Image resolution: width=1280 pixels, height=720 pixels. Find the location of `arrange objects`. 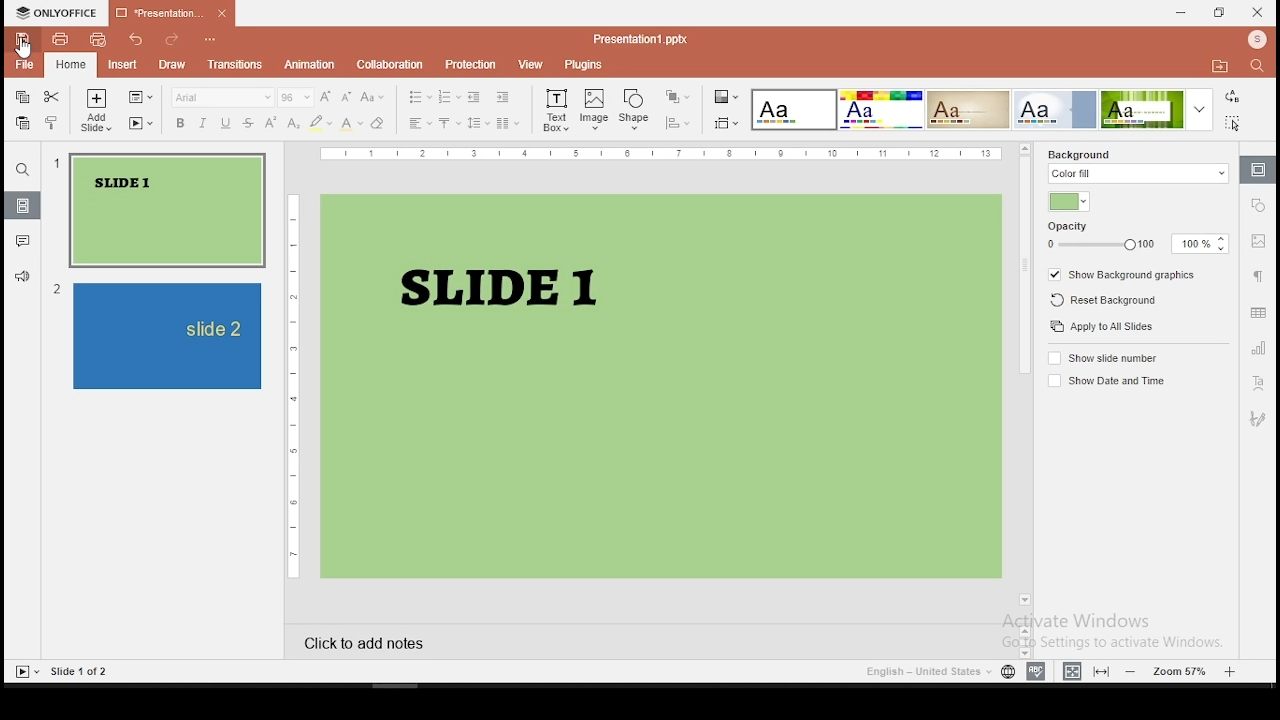

arrange objects is located at coordinates (678, 96).